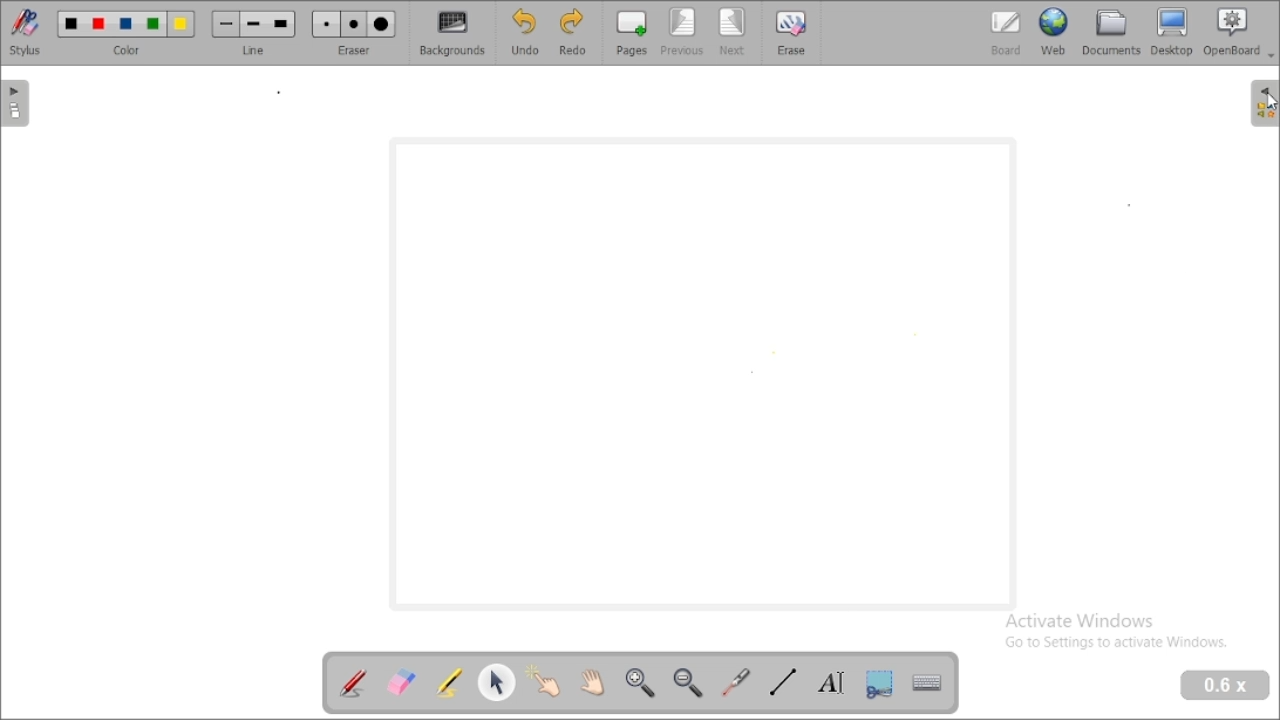 The image size is (1280, 720). What do you see at coordinates (782, 682) in the screenshot?
I see `draw lines` at bounding box center [782, 682].